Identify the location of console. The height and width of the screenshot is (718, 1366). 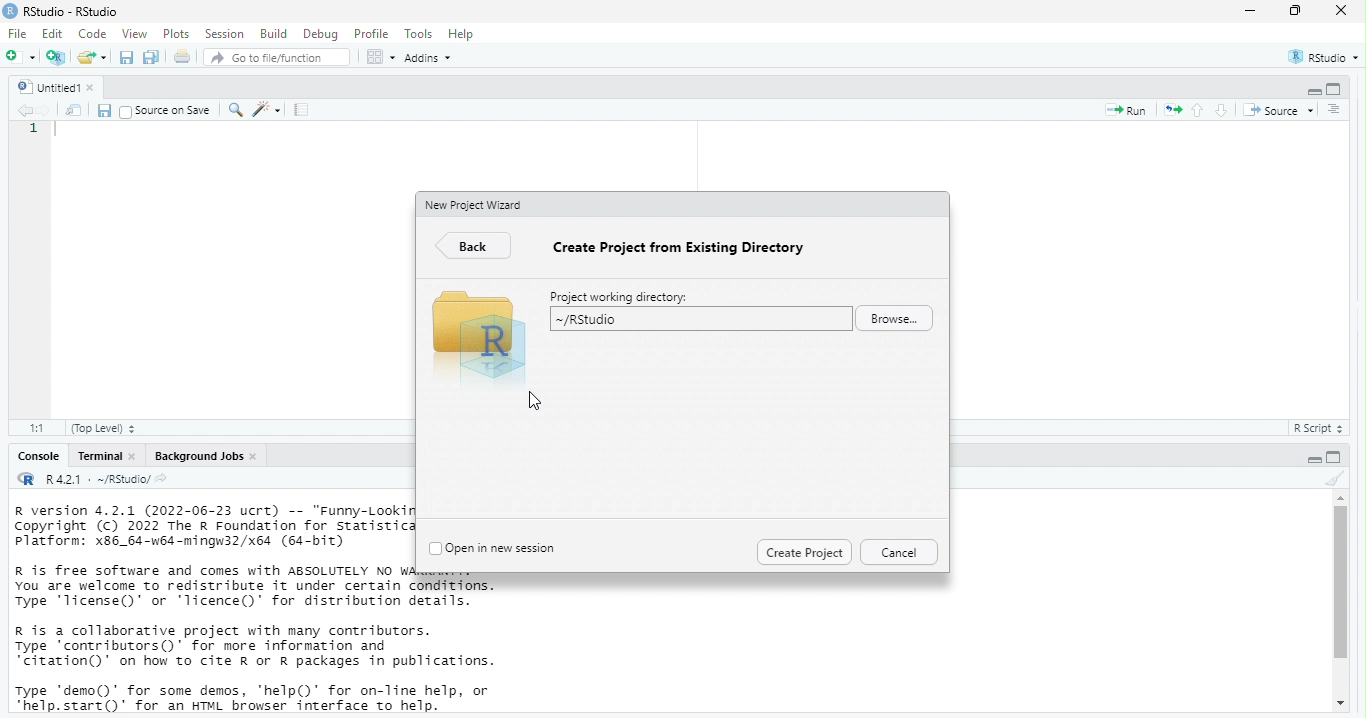
(32, 456).